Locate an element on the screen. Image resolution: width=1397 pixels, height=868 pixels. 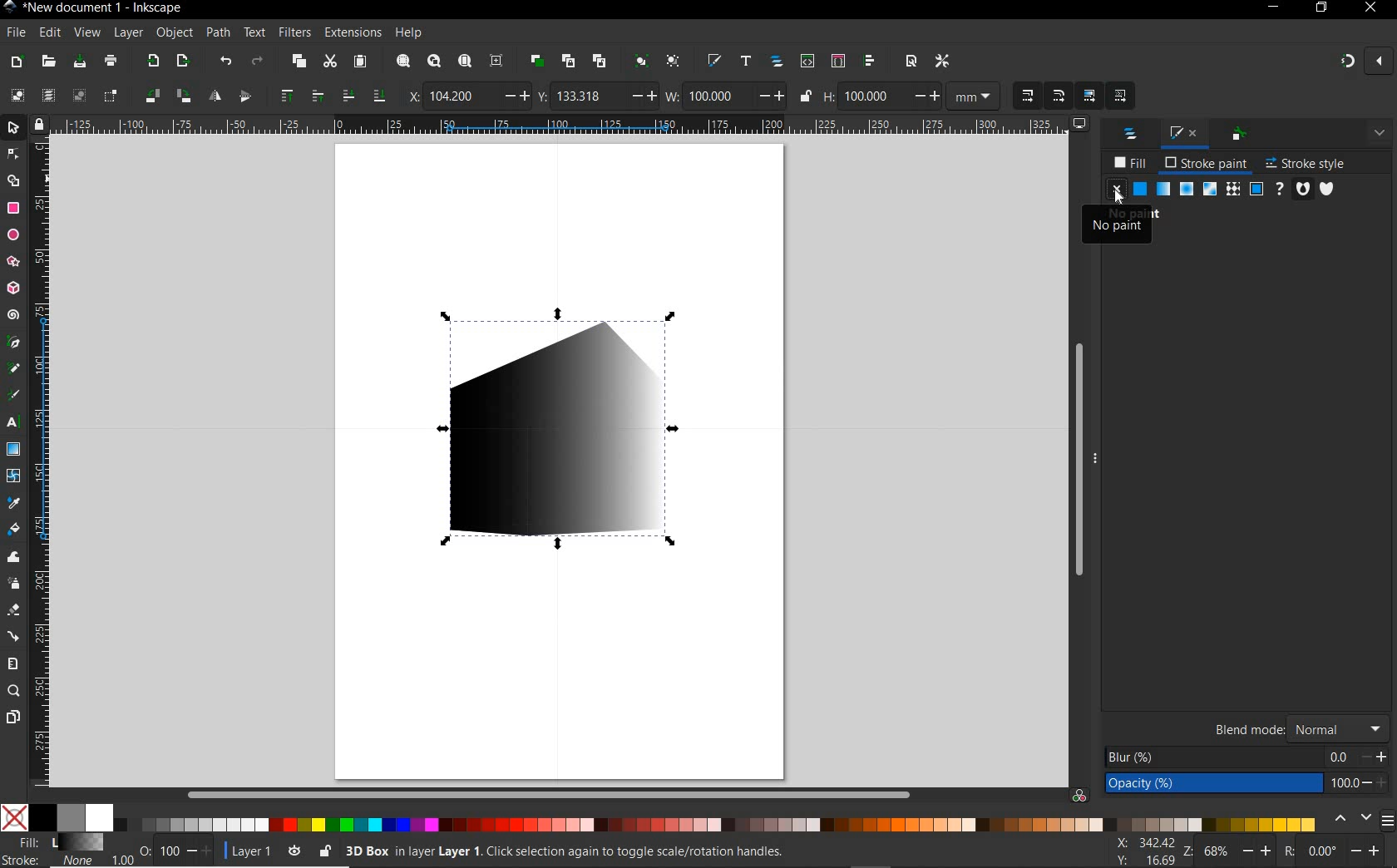
OPEN FILL AND STROKE is located at coordinates (714, 62).